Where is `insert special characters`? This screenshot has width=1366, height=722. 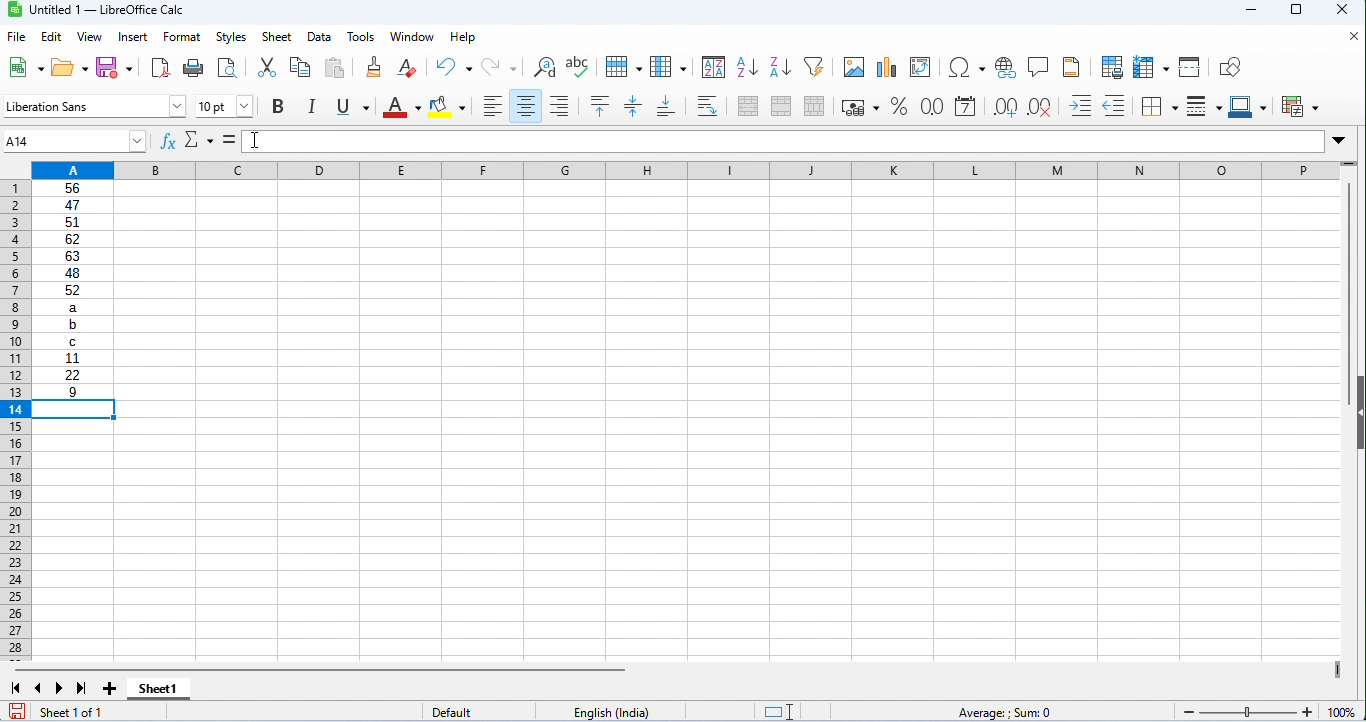
insert special characters is located at coordinates (967, 68).